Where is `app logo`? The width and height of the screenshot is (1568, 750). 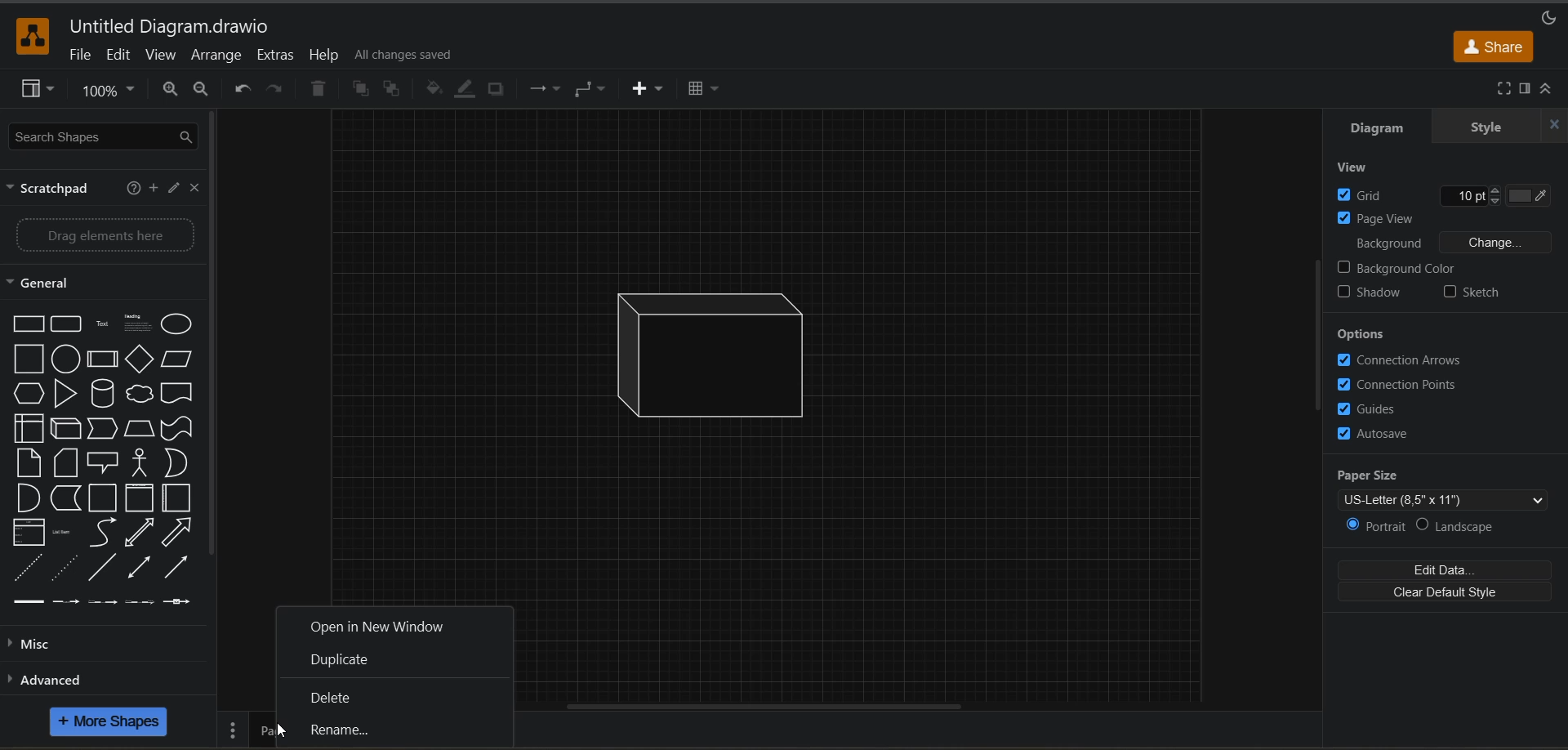 app logo is located at coordinates (34, 36).